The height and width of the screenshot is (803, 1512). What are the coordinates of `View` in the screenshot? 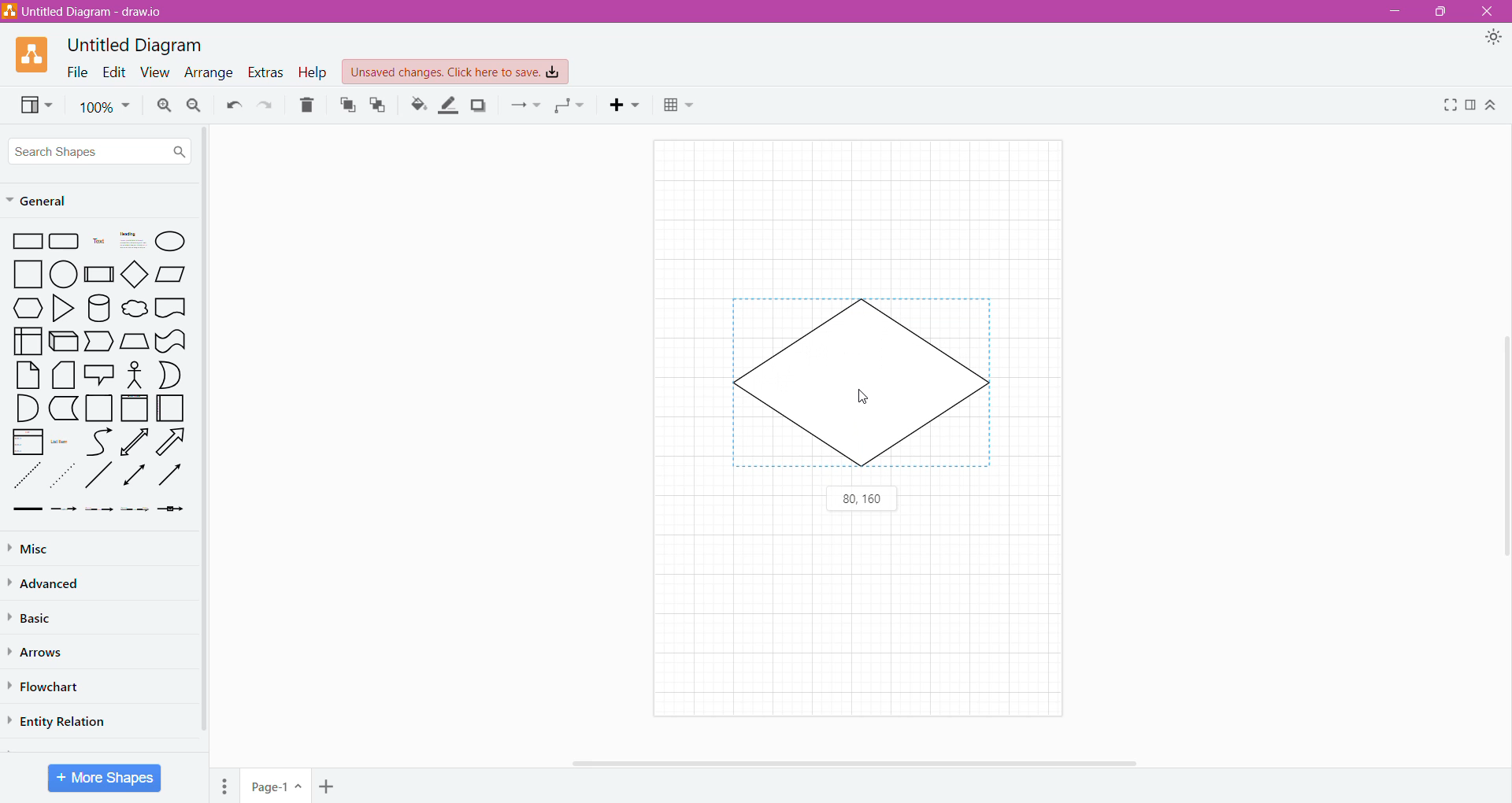 It's located at (152, 73).